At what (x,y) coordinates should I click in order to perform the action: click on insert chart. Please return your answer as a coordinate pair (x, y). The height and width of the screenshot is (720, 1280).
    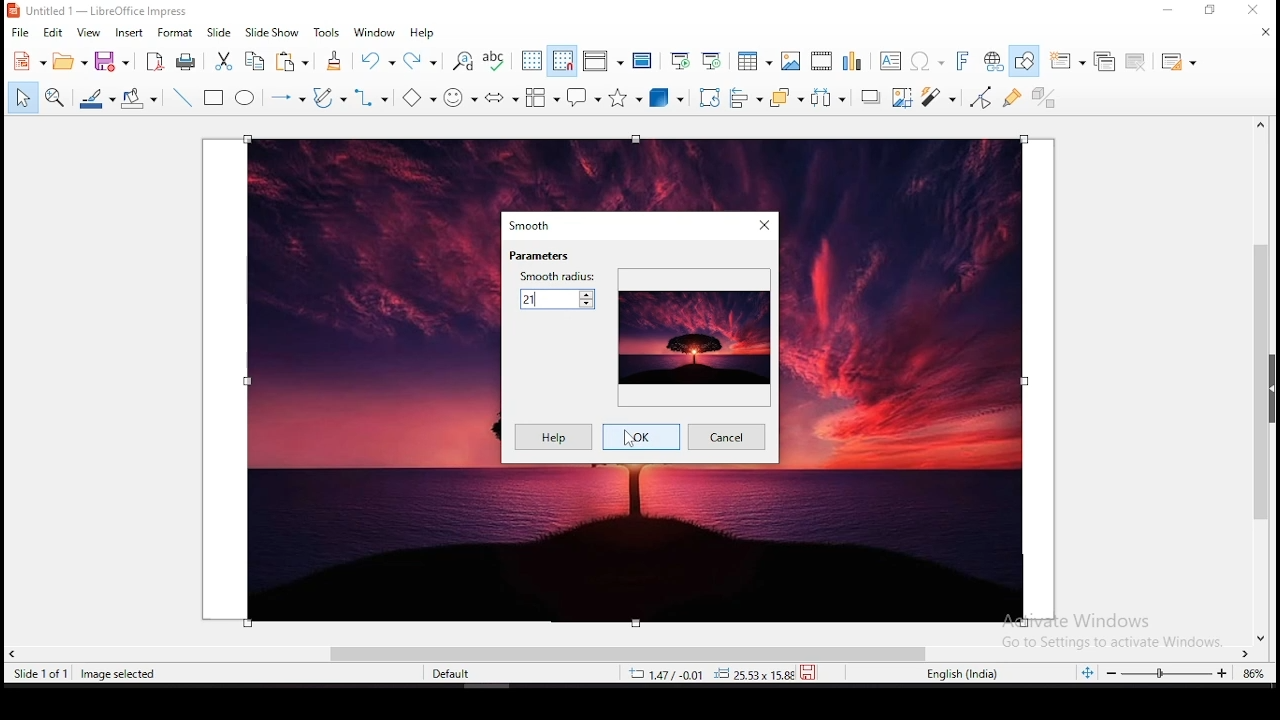
    Looking at the image, I should click on (851, 62).